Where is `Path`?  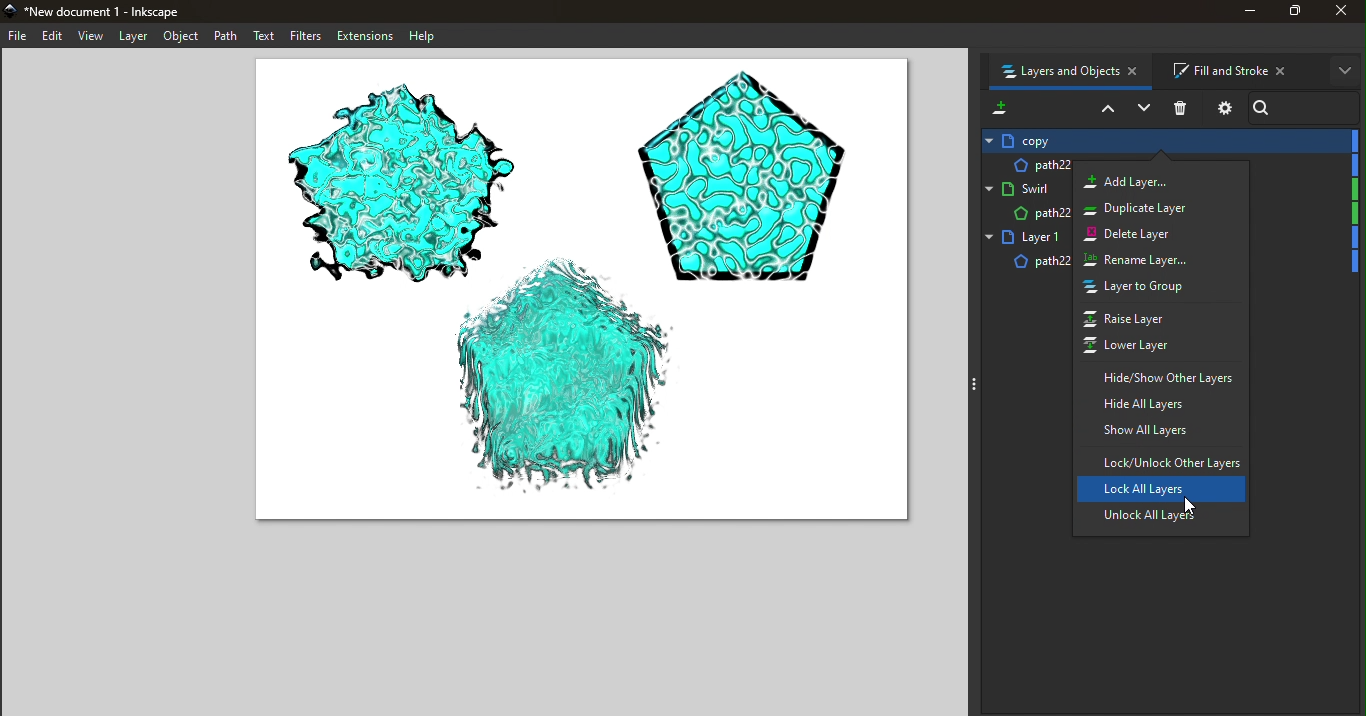 Path is located at coordinates (227, 37).